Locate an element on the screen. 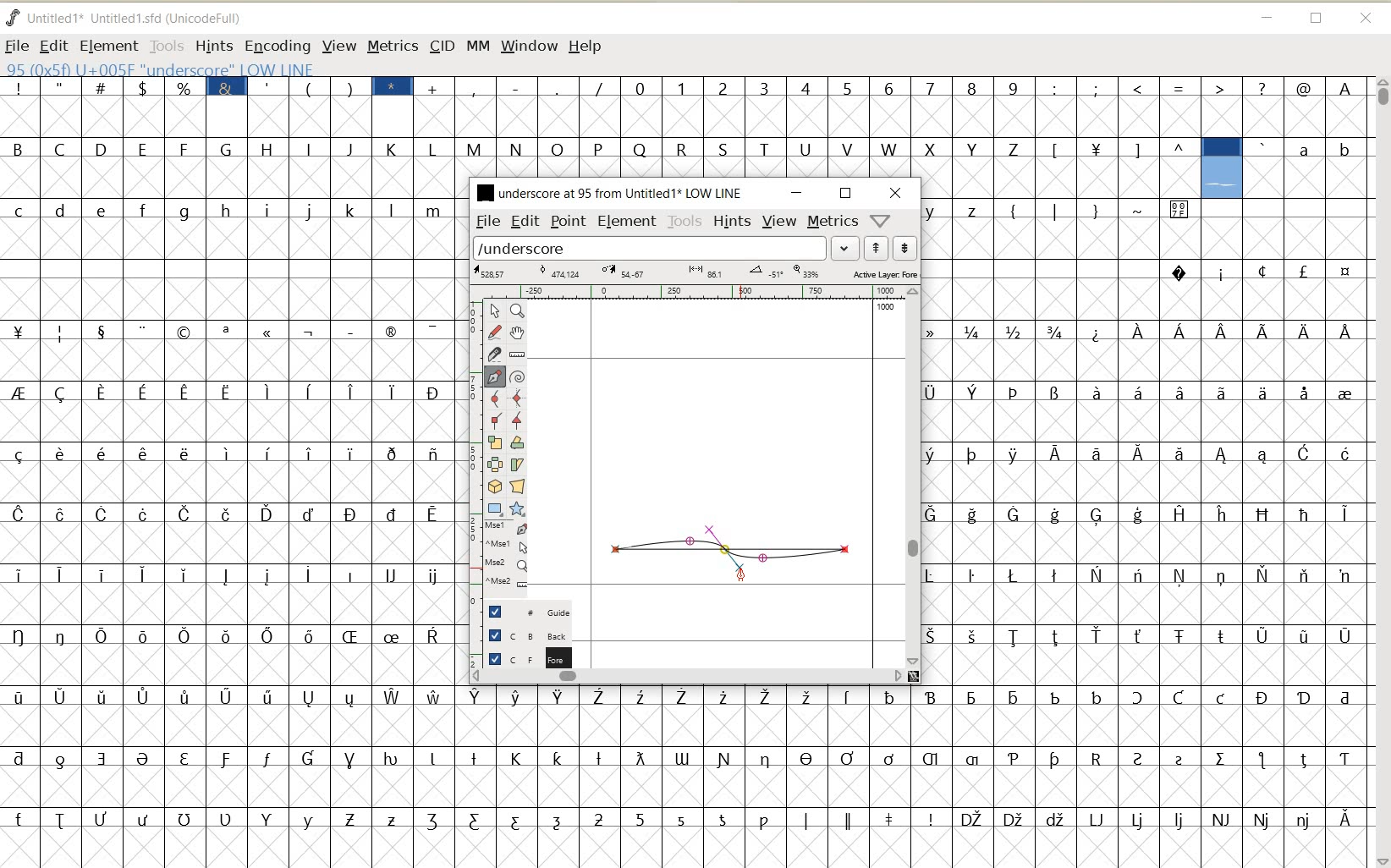 Image resolution: width=1391 pixels, height=868 pixels. scale the selection is located at coordinates (493, 442).